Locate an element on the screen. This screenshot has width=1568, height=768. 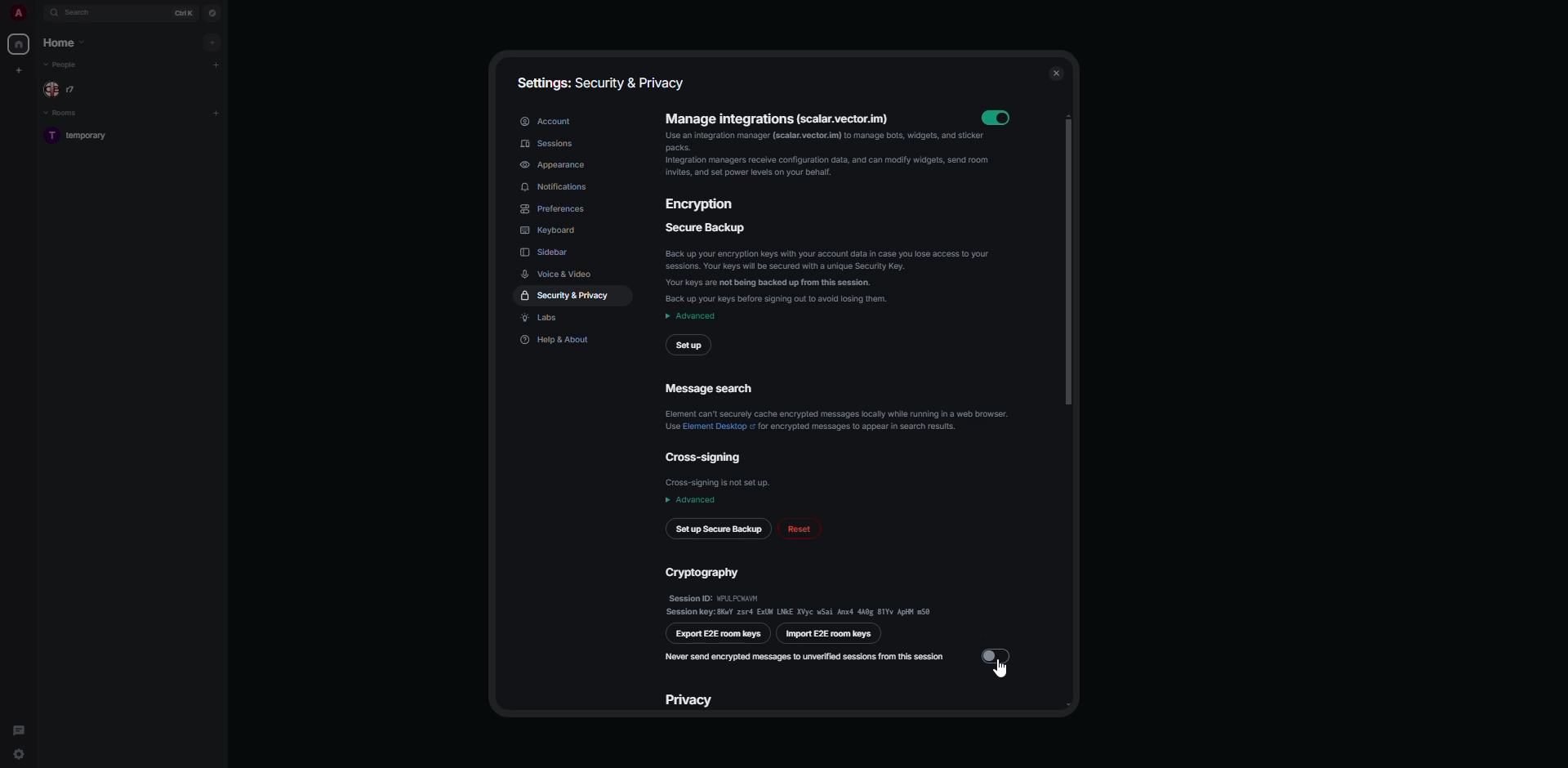
account is located at coordinates (546, 122).